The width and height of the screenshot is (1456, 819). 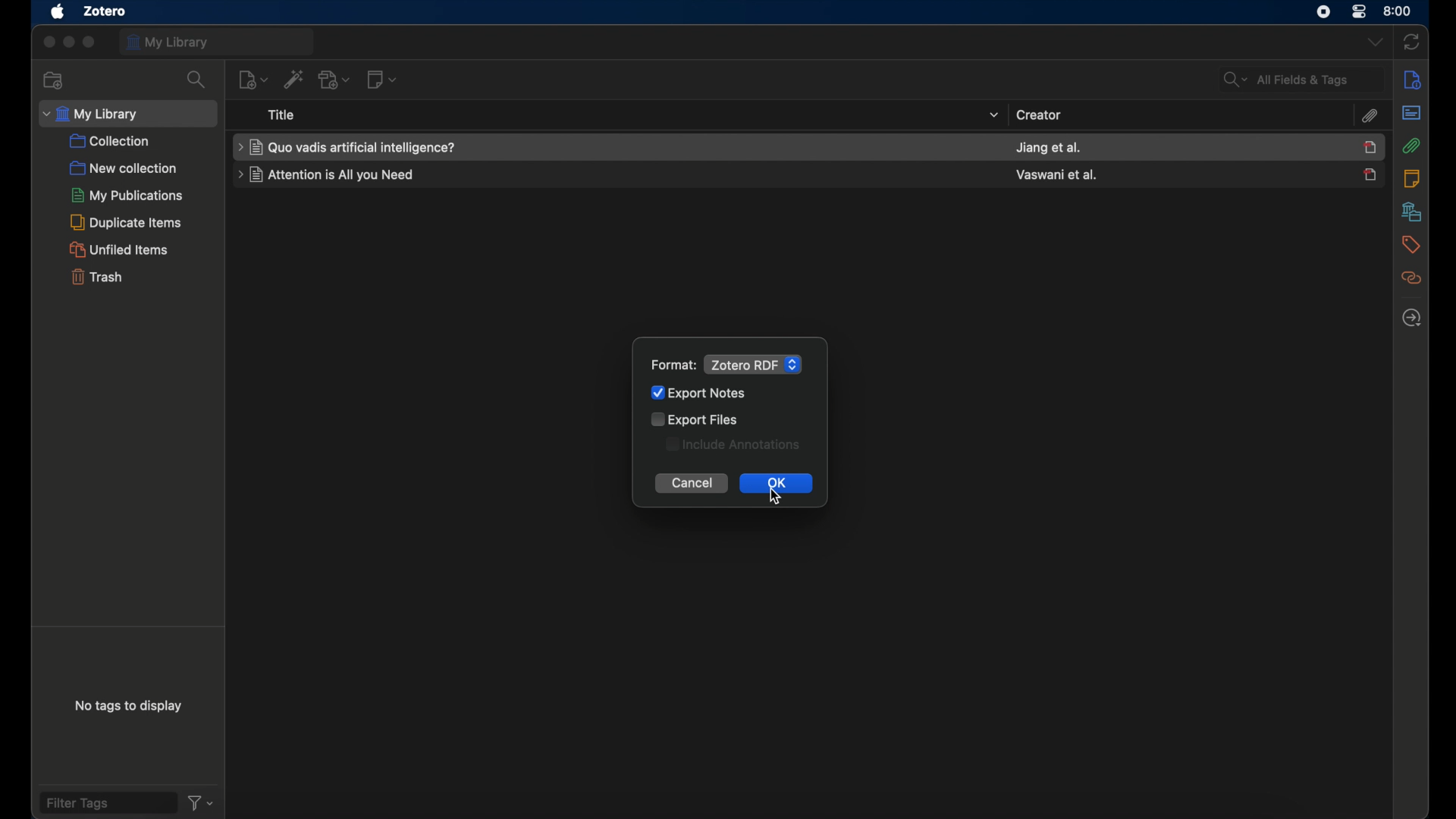 I want to click on format dropdown menu, so click(x=753, y=364).